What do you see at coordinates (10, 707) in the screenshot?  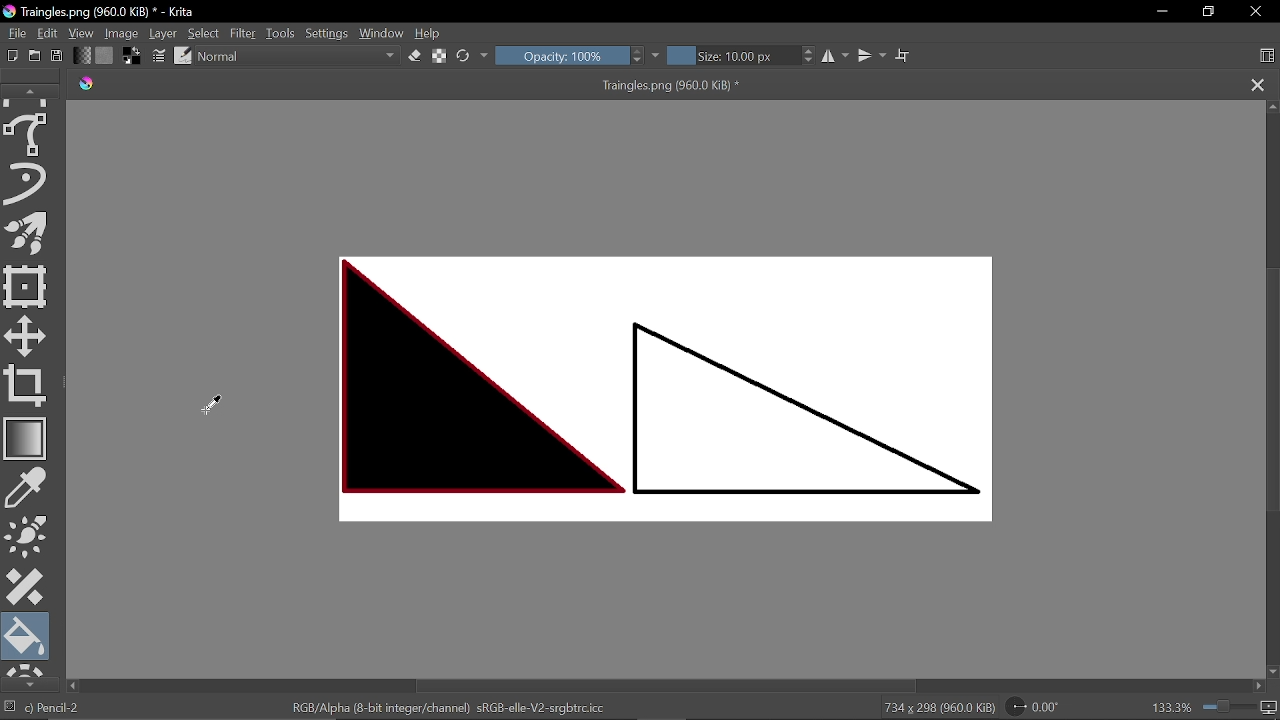 I see `No selection` at bounding box center [10, 707].